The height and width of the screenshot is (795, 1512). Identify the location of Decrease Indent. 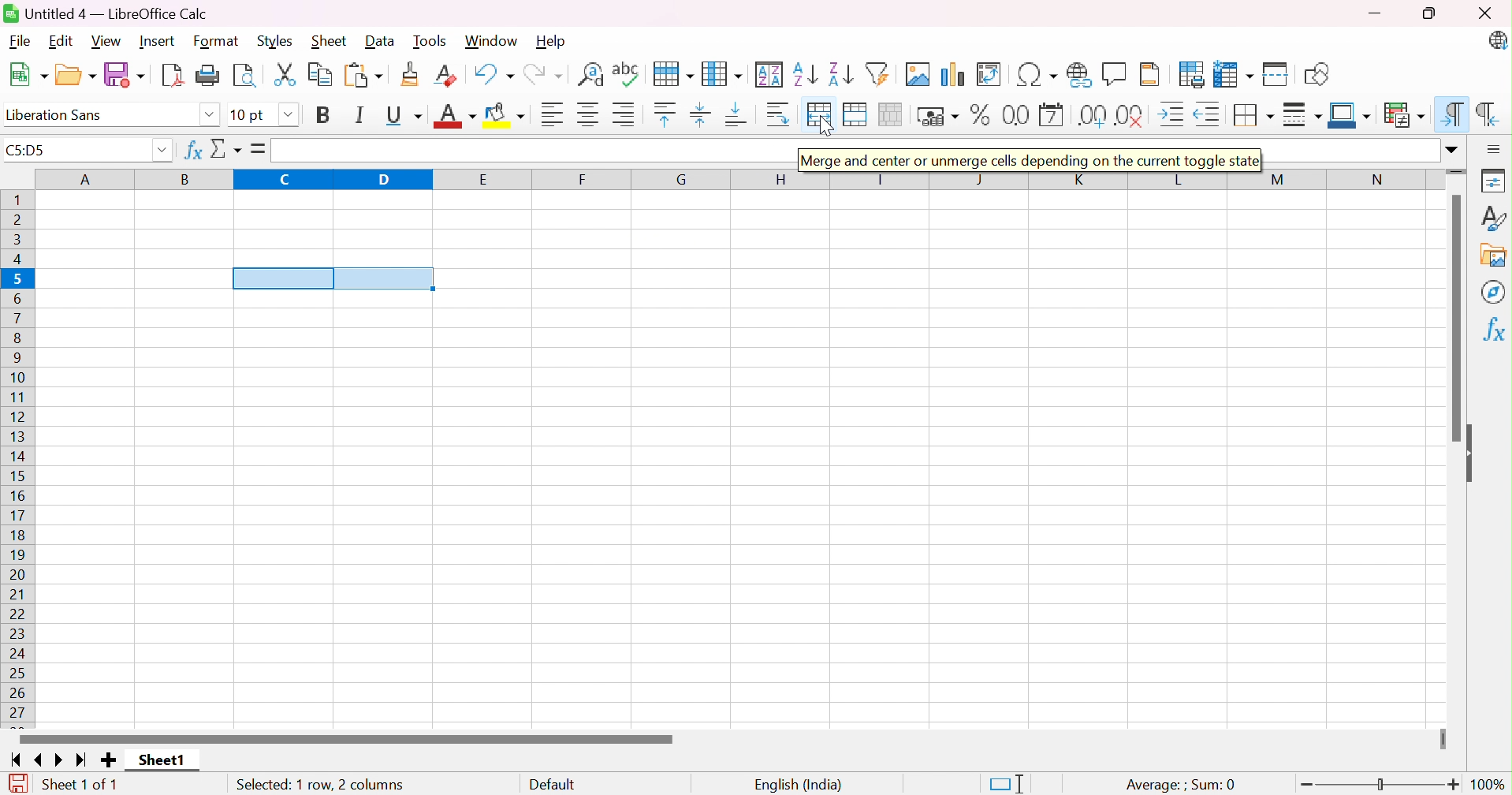
(1212, 113).